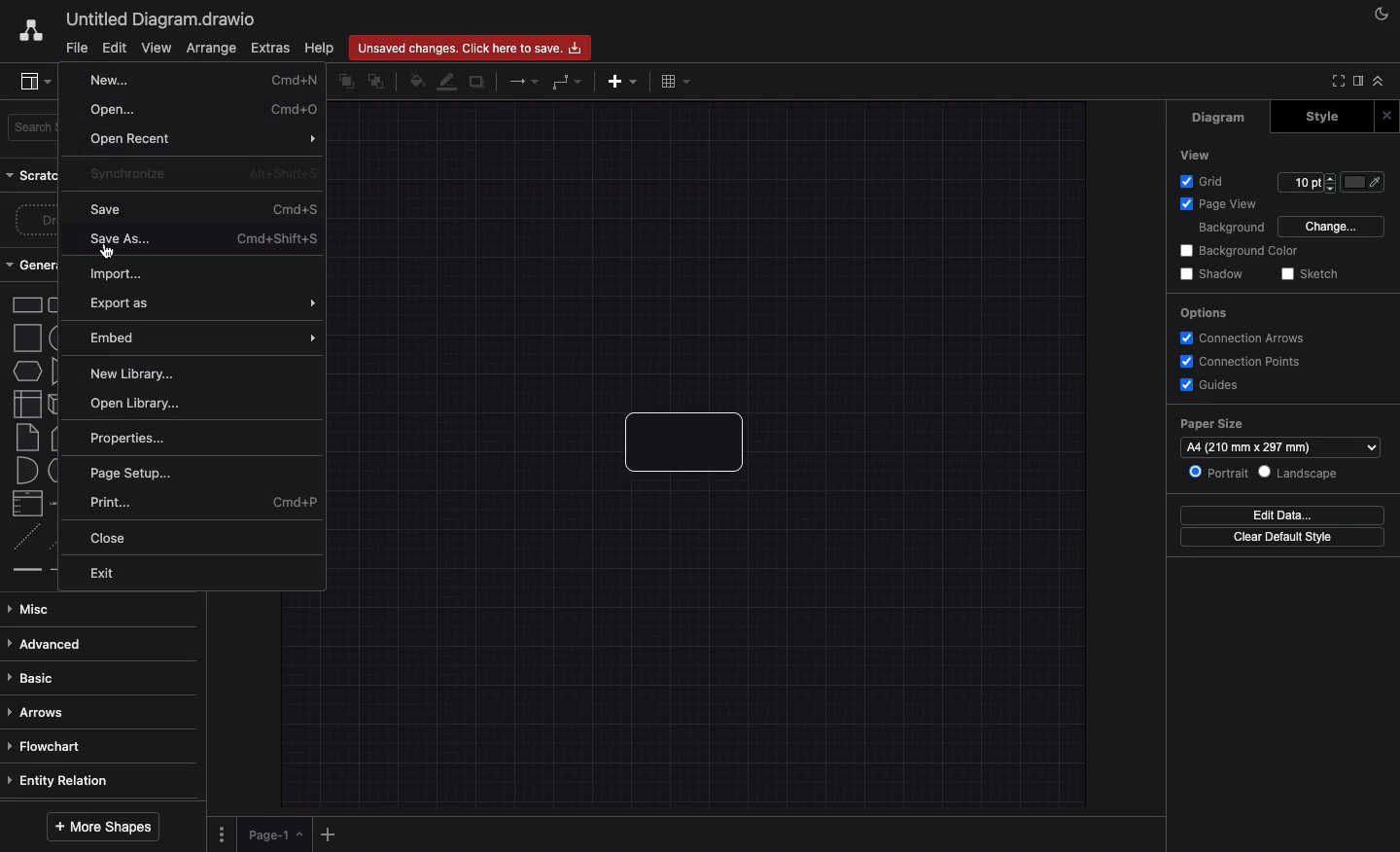  I want to click on Shadow, so click(1209, 275).